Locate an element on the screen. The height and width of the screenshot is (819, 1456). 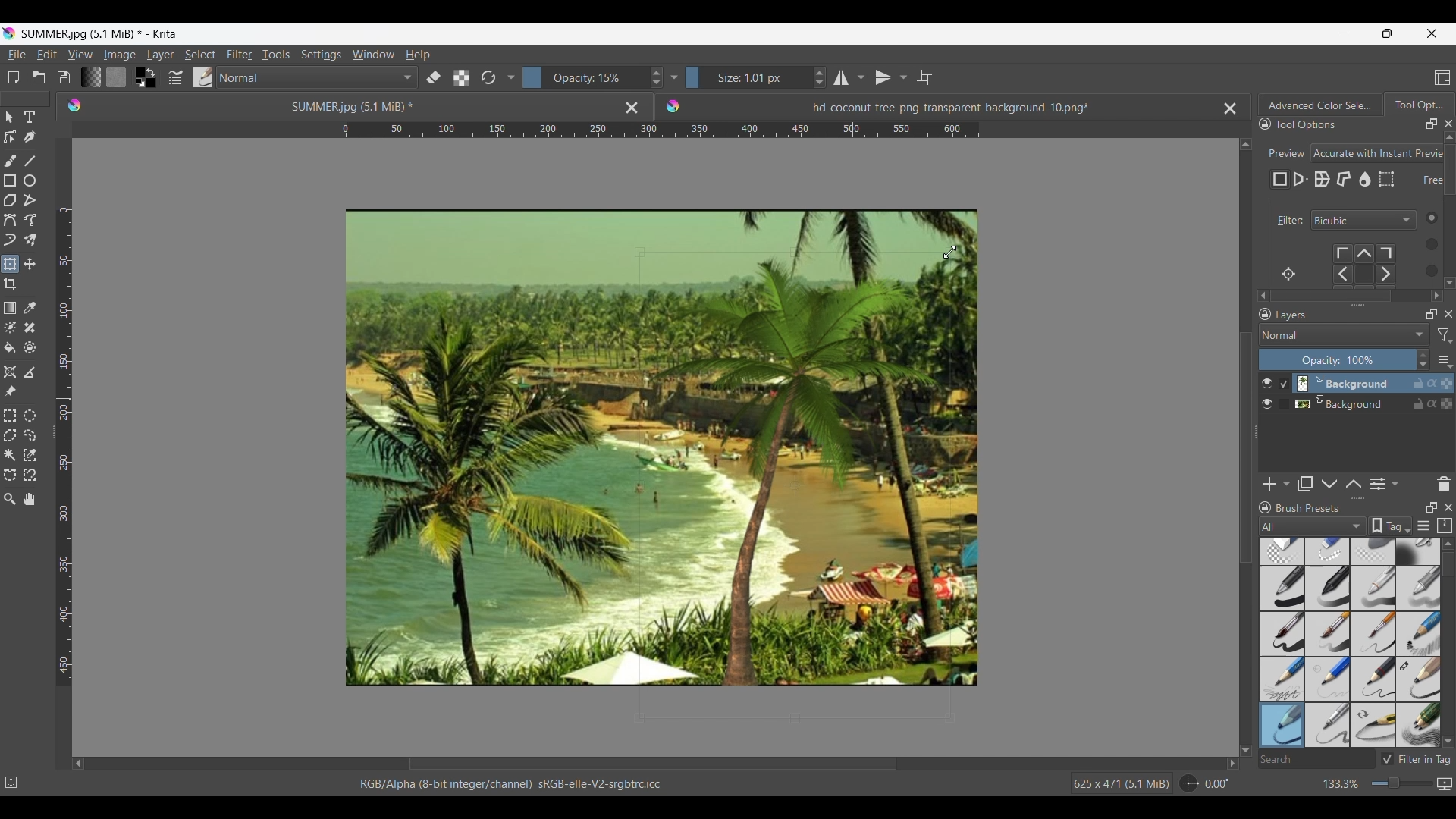
Tool options is located at coordinates (1321, 124).